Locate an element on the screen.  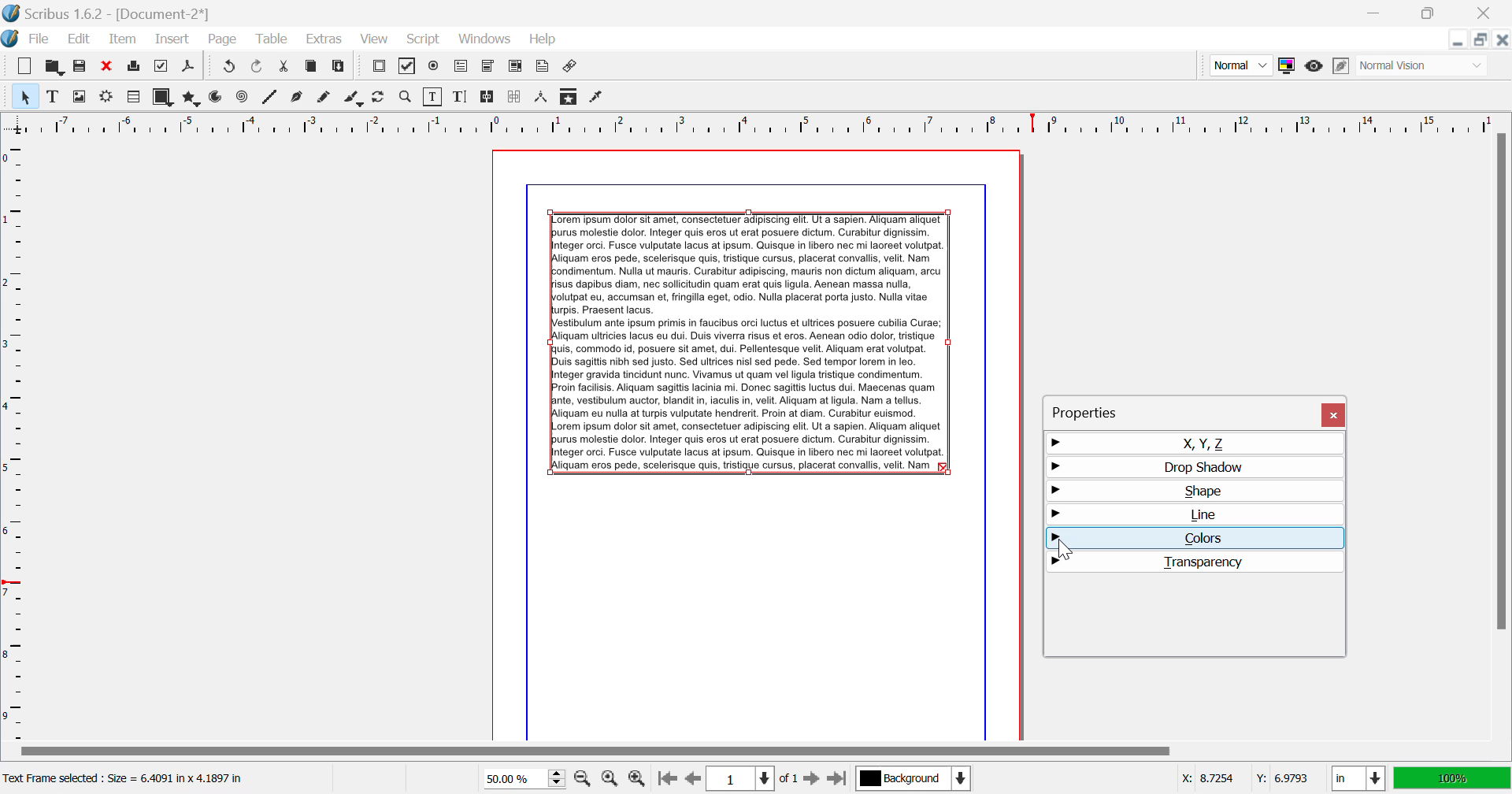
Help is located at coordinates (544, 39).